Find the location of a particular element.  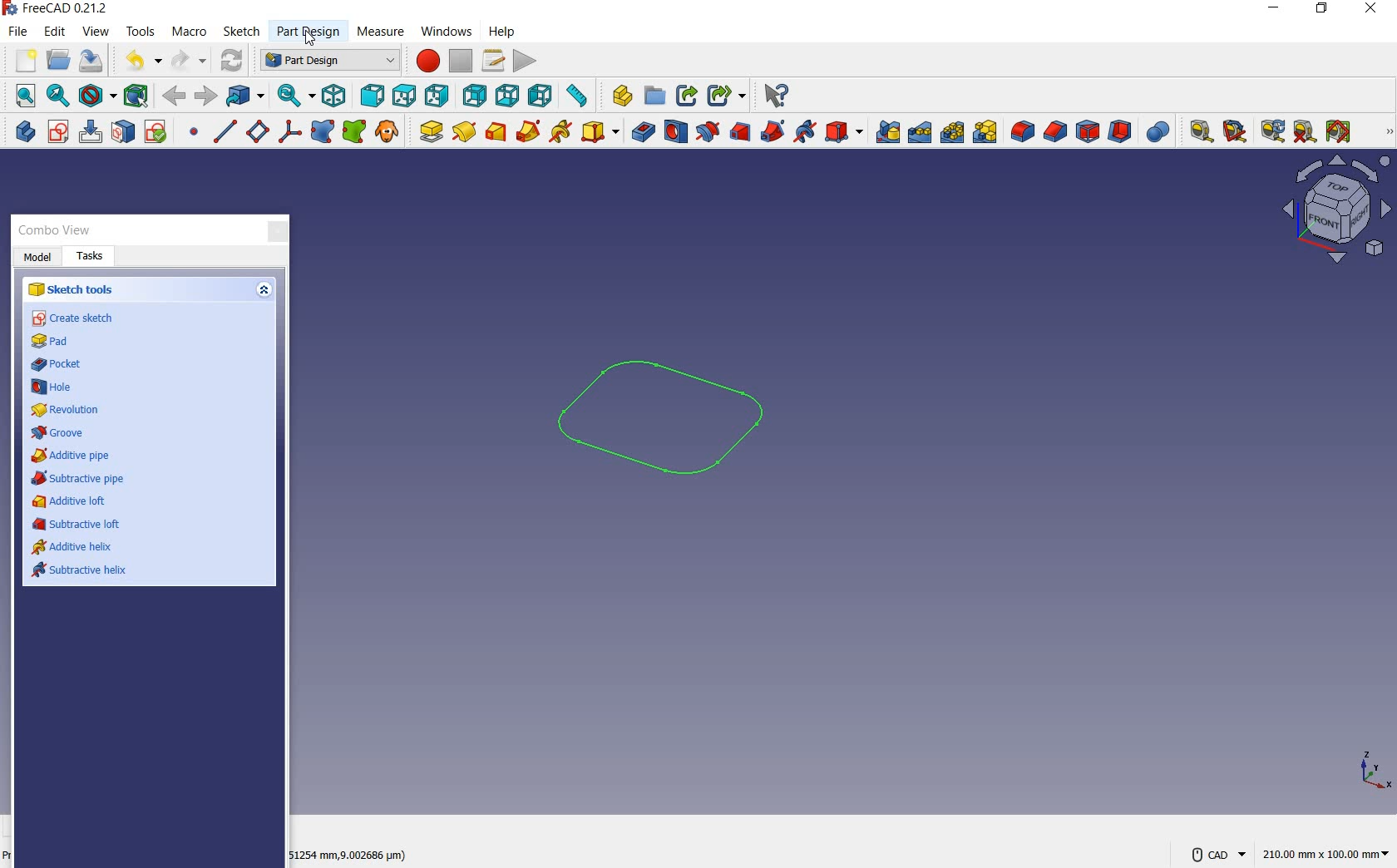

hole is located at coordinates (675, 132).